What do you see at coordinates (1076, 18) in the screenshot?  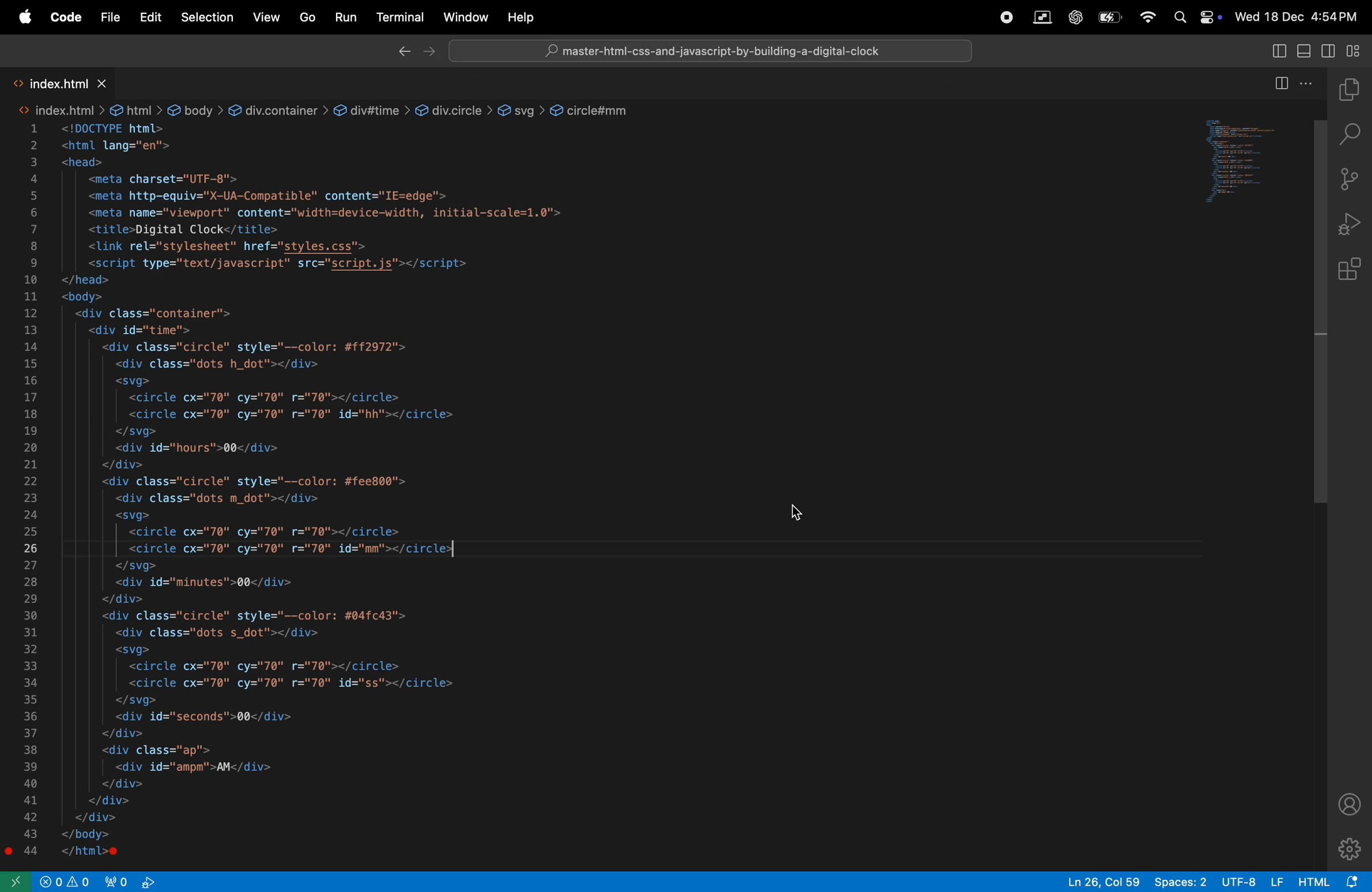 I see `chatgpt` at bounding box center [1076, 18].